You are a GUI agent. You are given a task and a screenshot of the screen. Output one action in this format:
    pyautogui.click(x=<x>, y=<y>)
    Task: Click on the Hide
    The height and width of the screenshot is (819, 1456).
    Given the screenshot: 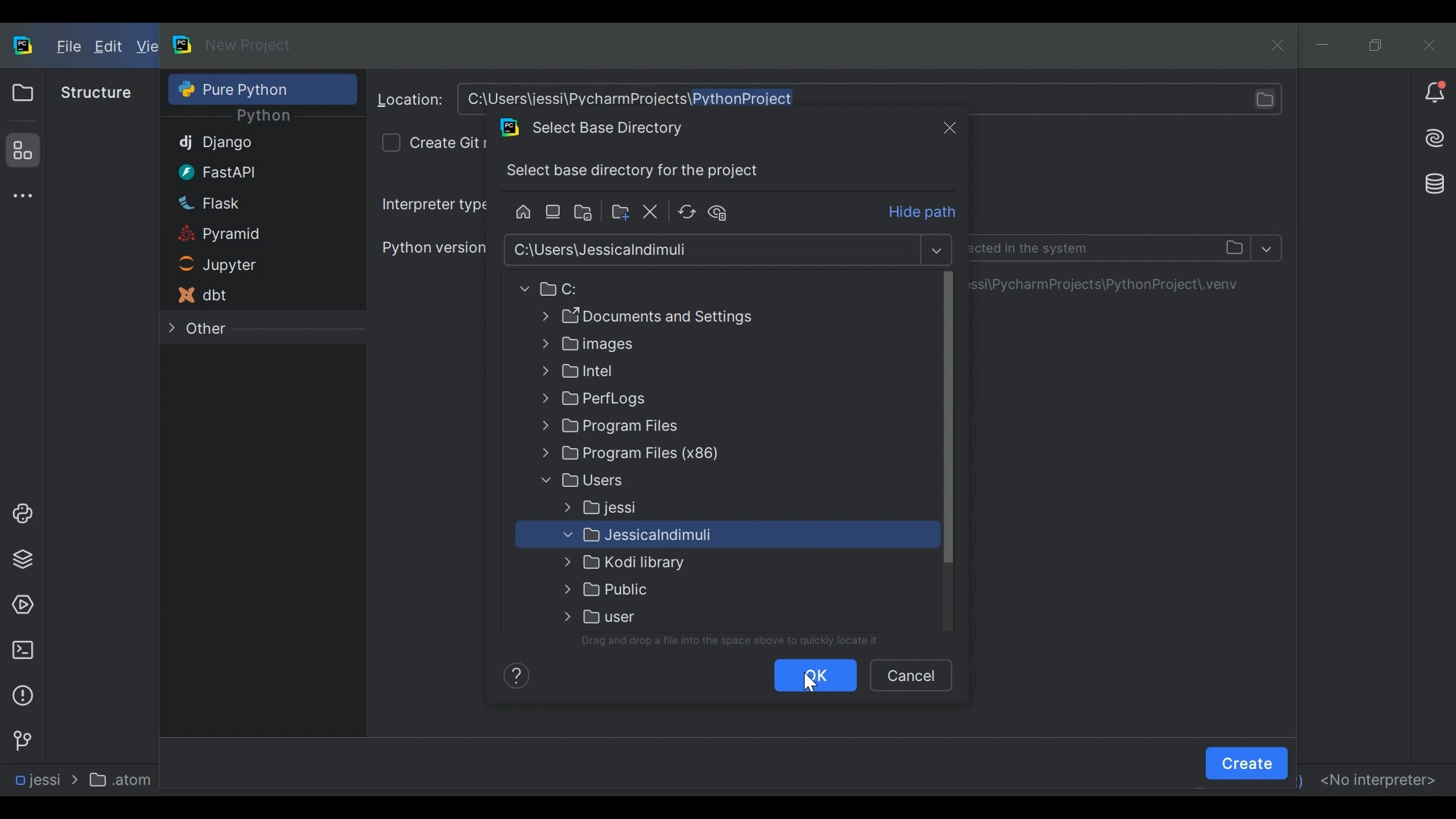 What is the action you would take?
    pyautogui.click(x=723, y=212)
    